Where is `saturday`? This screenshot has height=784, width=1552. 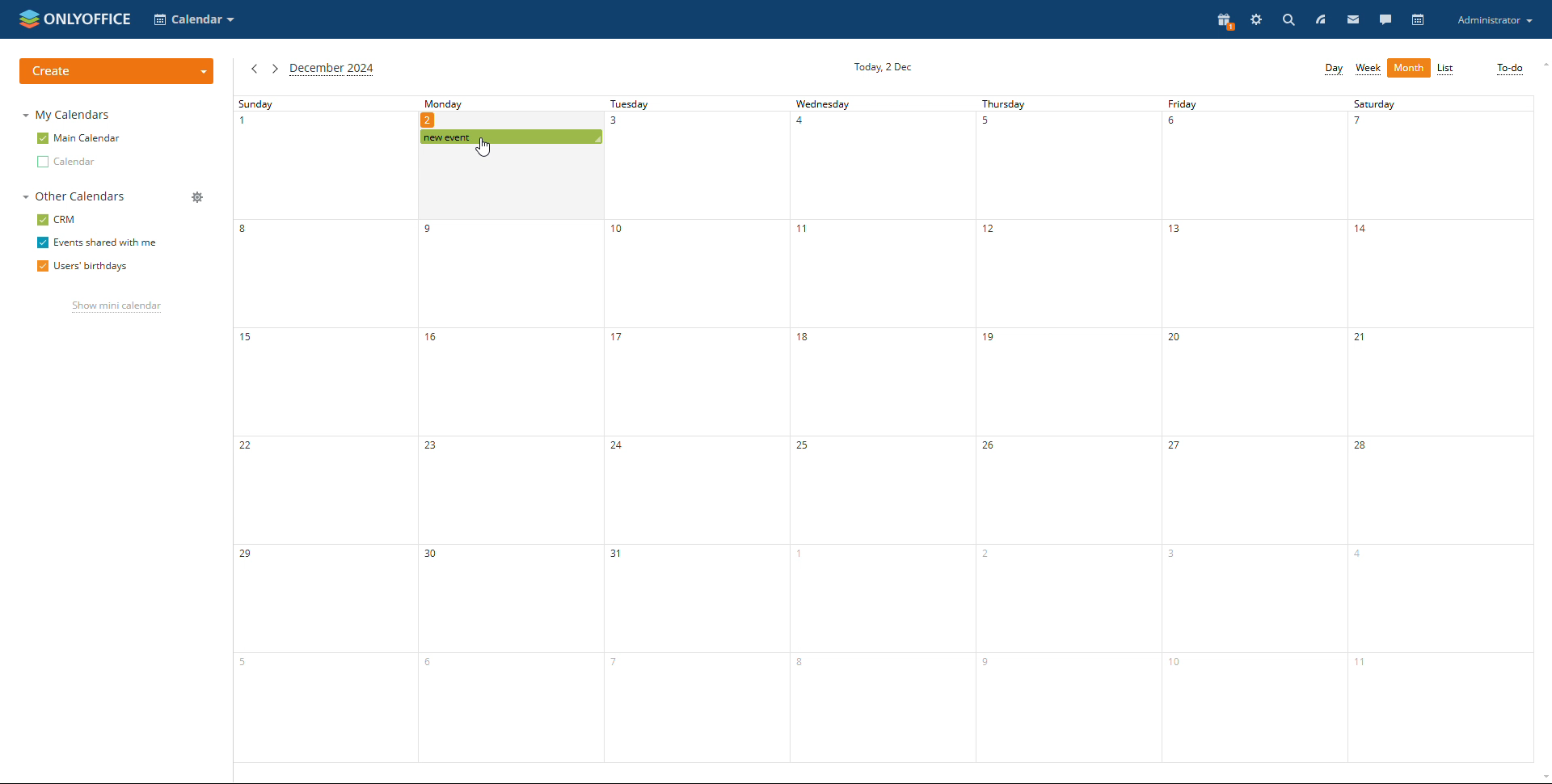
saturday is located at coordinates (1438, 429).